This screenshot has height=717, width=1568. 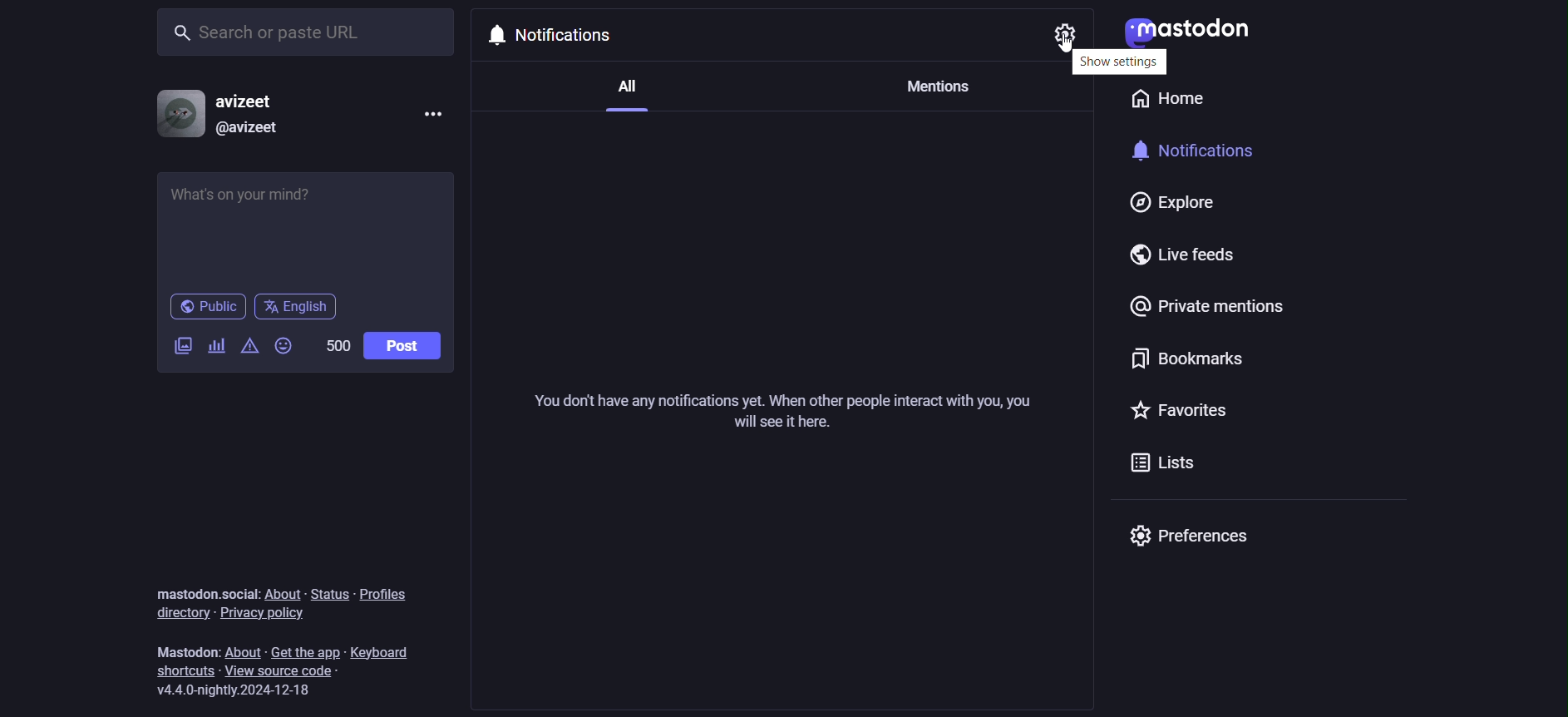 What do you see at coordinates (1202, 314) in the screenshot?
I see `private mentions` at bounding box center [1202, 314].